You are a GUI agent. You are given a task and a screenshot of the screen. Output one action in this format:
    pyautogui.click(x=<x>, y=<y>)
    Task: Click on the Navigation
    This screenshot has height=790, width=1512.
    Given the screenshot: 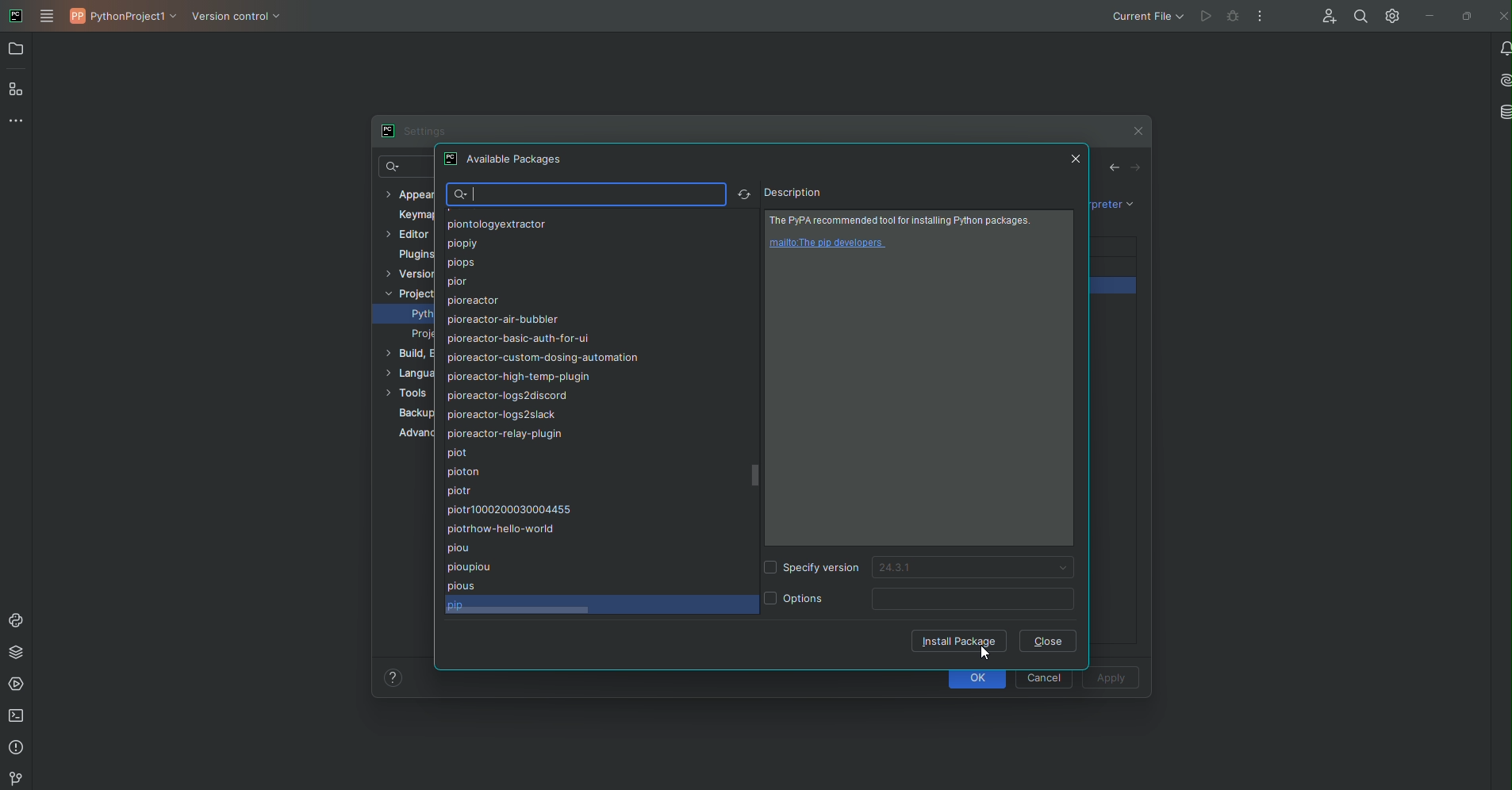 What is the action you would take?
    pyautogui.click(x=1125, y=169)
    